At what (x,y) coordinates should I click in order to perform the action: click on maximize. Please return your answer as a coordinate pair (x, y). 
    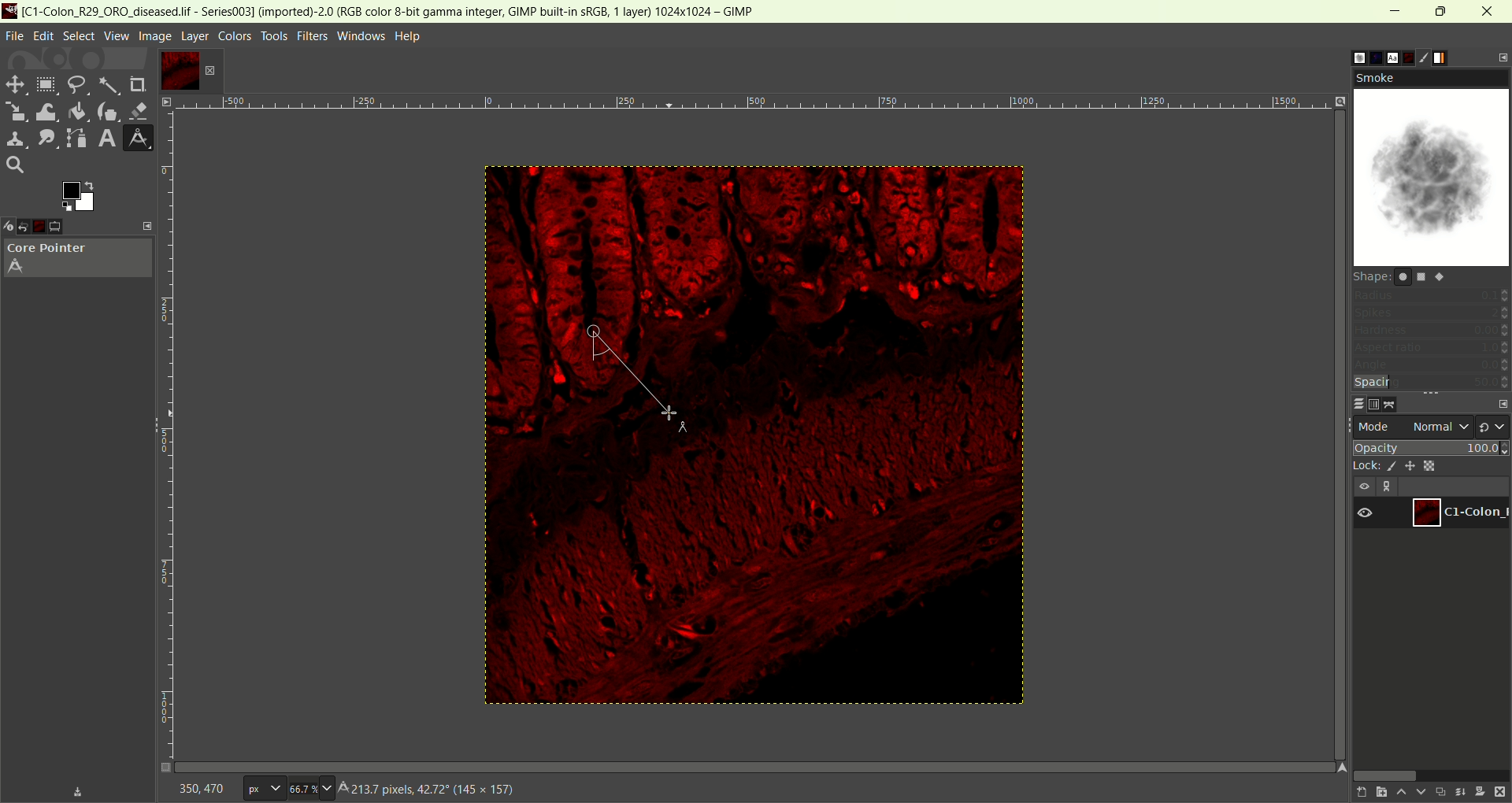
    Looking at the image, I should click on (1441, 11).